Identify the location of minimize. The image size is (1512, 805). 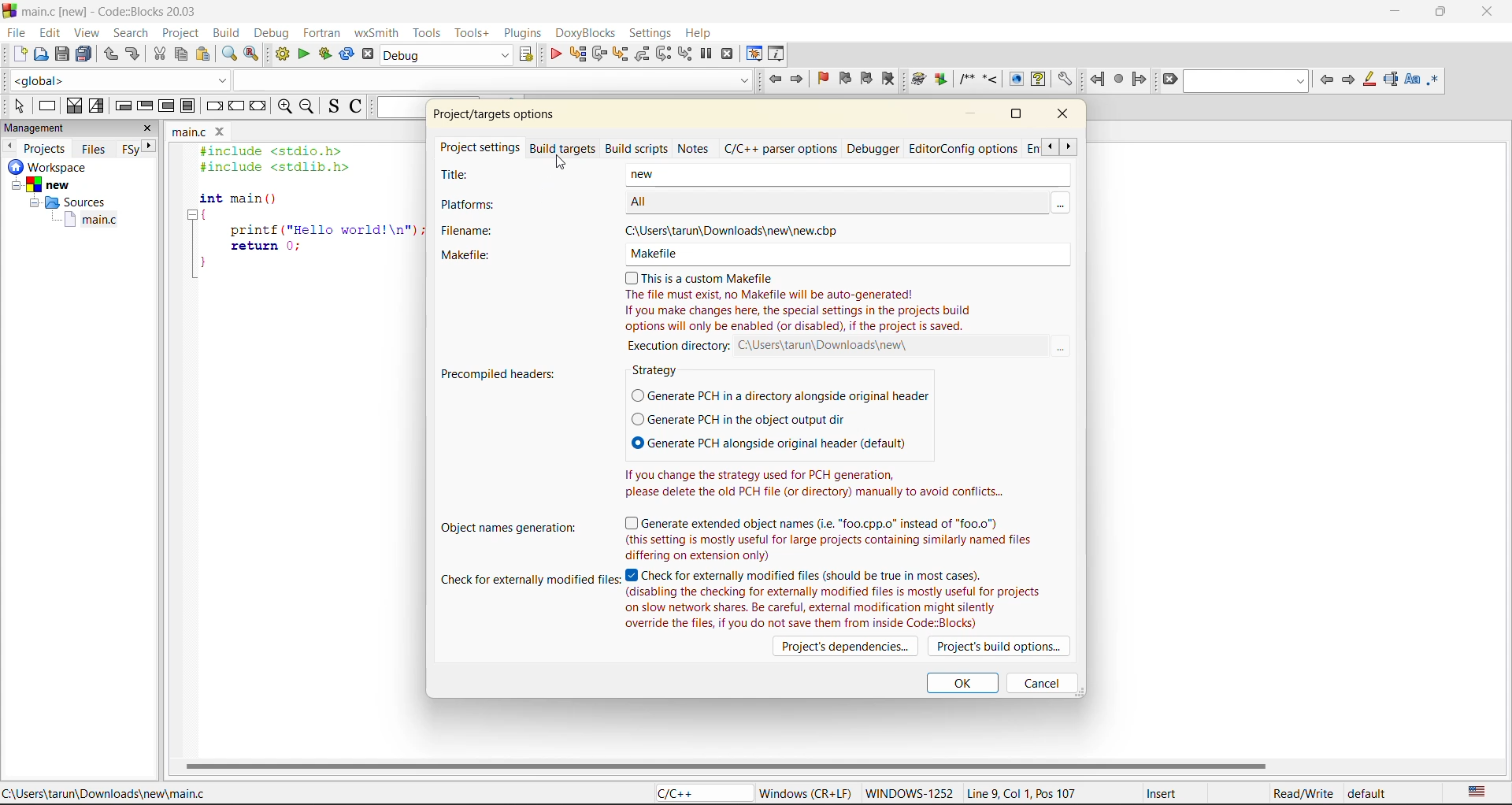
(977, 113).